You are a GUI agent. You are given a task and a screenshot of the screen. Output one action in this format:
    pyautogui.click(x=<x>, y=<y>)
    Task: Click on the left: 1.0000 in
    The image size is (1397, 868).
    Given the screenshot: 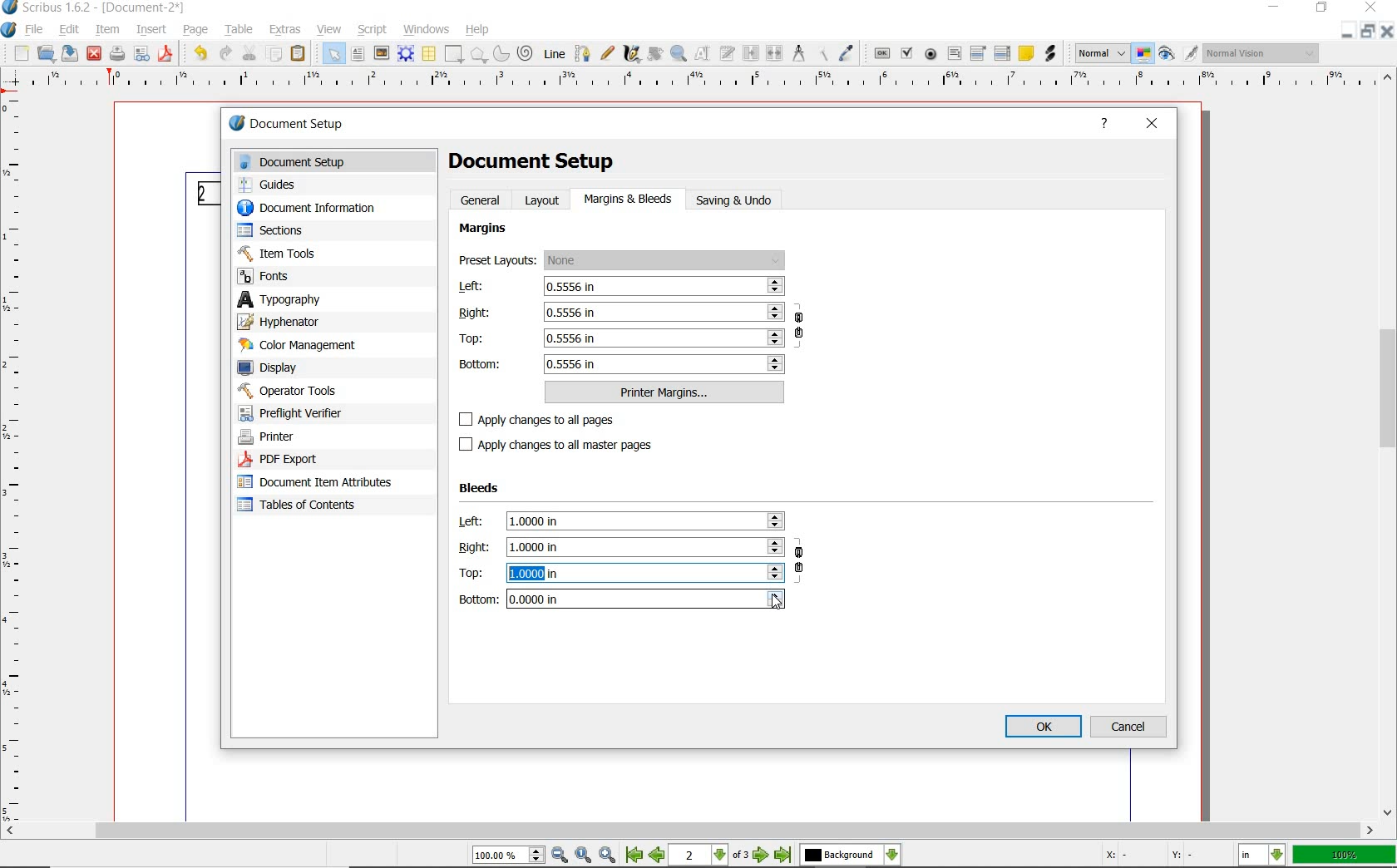 What is the action you would take?
    pyautogui.click(x=621, y=521)
    